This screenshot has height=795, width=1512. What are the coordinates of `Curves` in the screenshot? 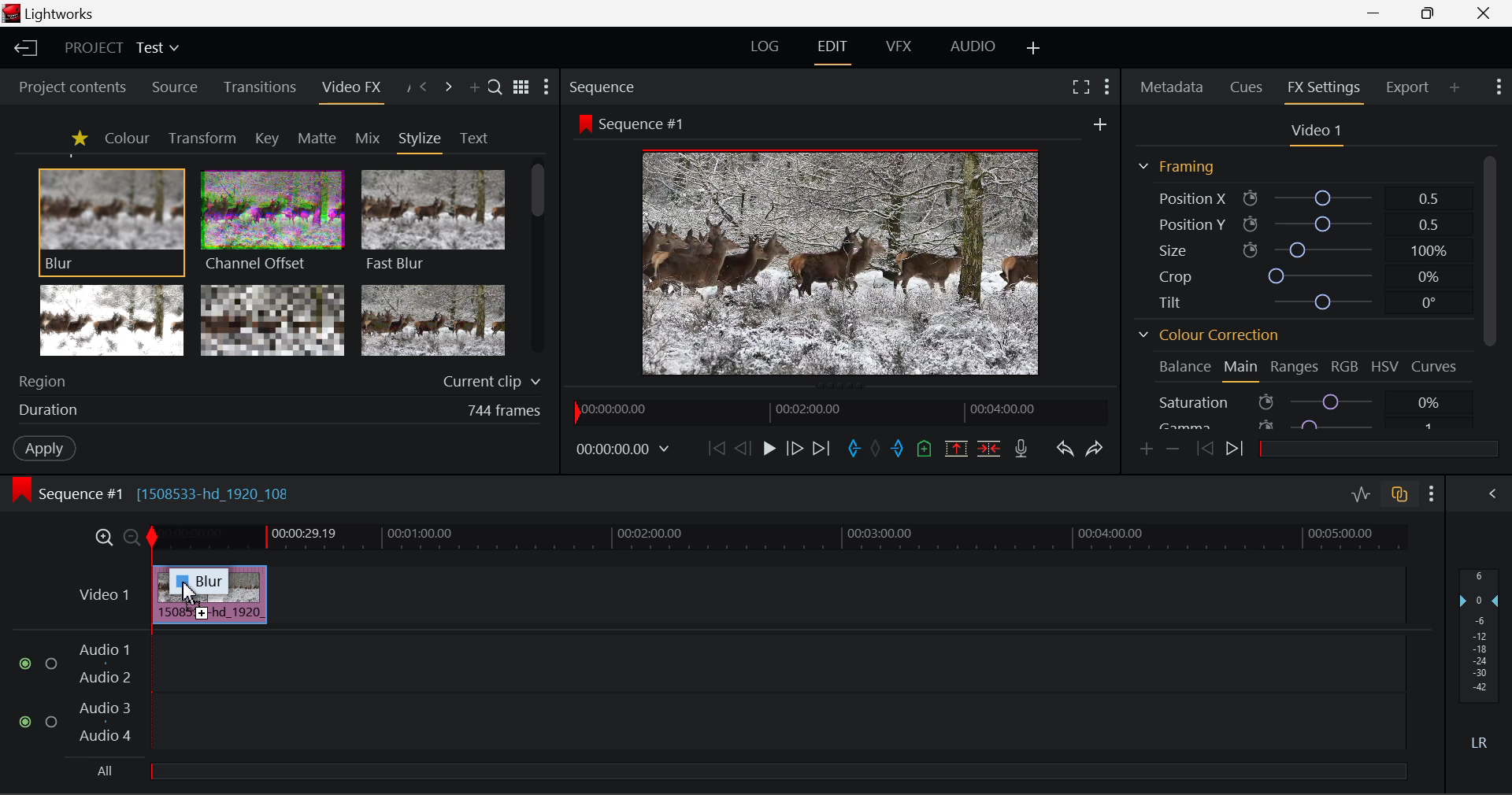 It's located at (1436, 368).